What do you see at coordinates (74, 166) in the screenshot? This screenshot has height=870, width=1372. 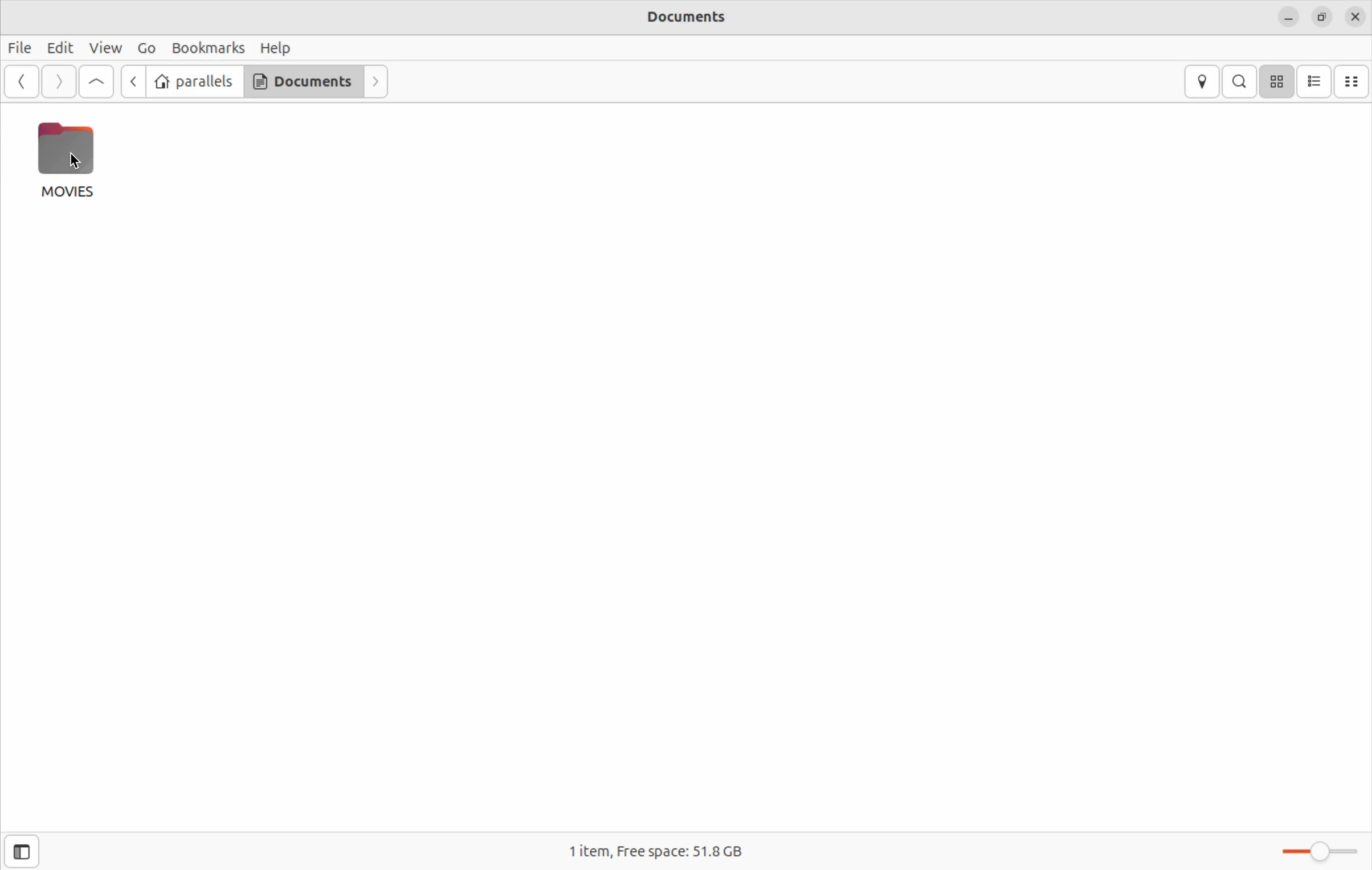 I see `Cursor` at bounding box center [74, 166].